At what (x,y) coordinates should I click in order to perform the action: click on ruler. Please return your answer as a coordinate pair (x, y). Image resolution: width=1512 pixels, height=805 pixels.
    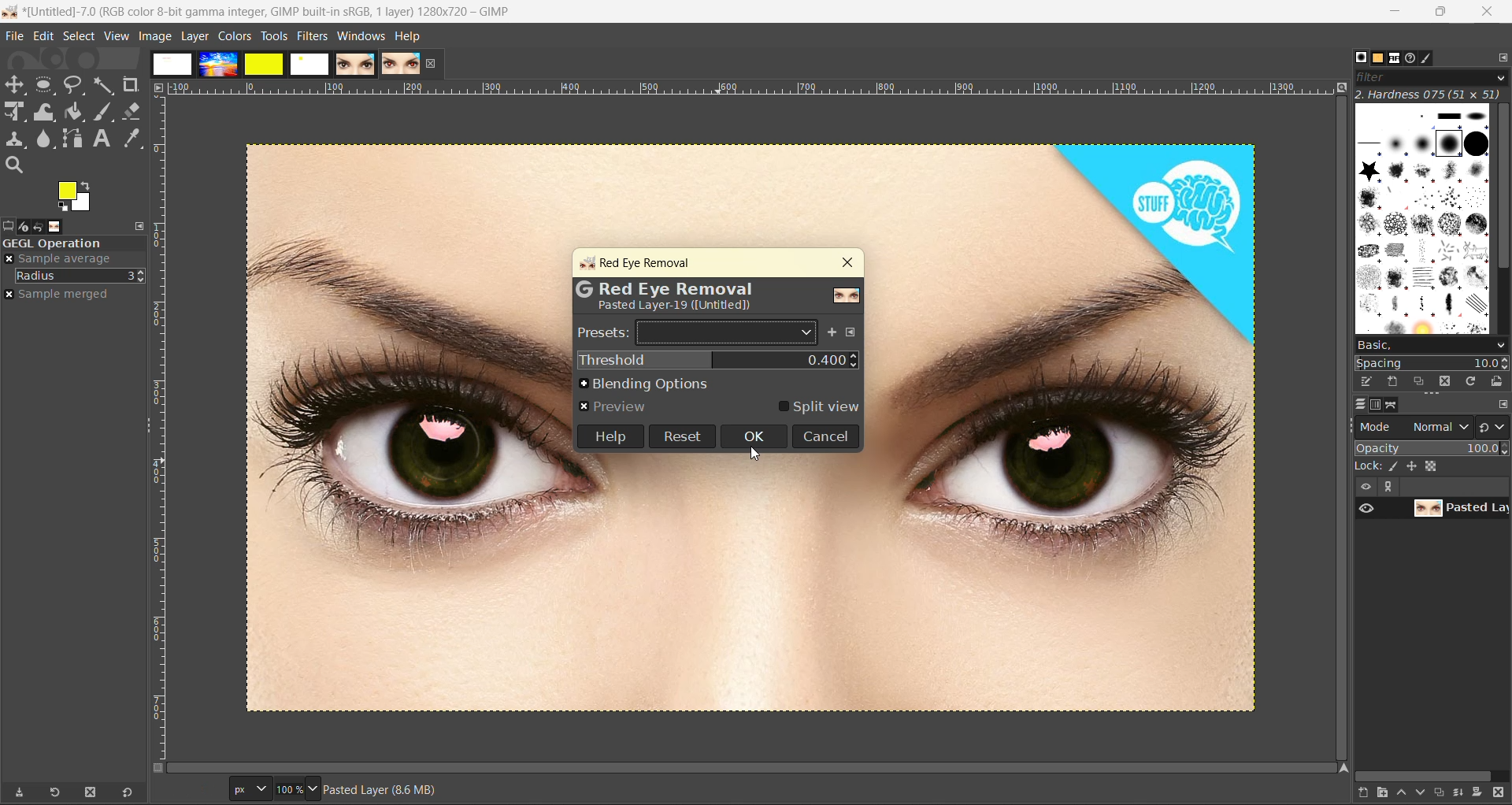
    Looking at the image, I should click on (163, 427).